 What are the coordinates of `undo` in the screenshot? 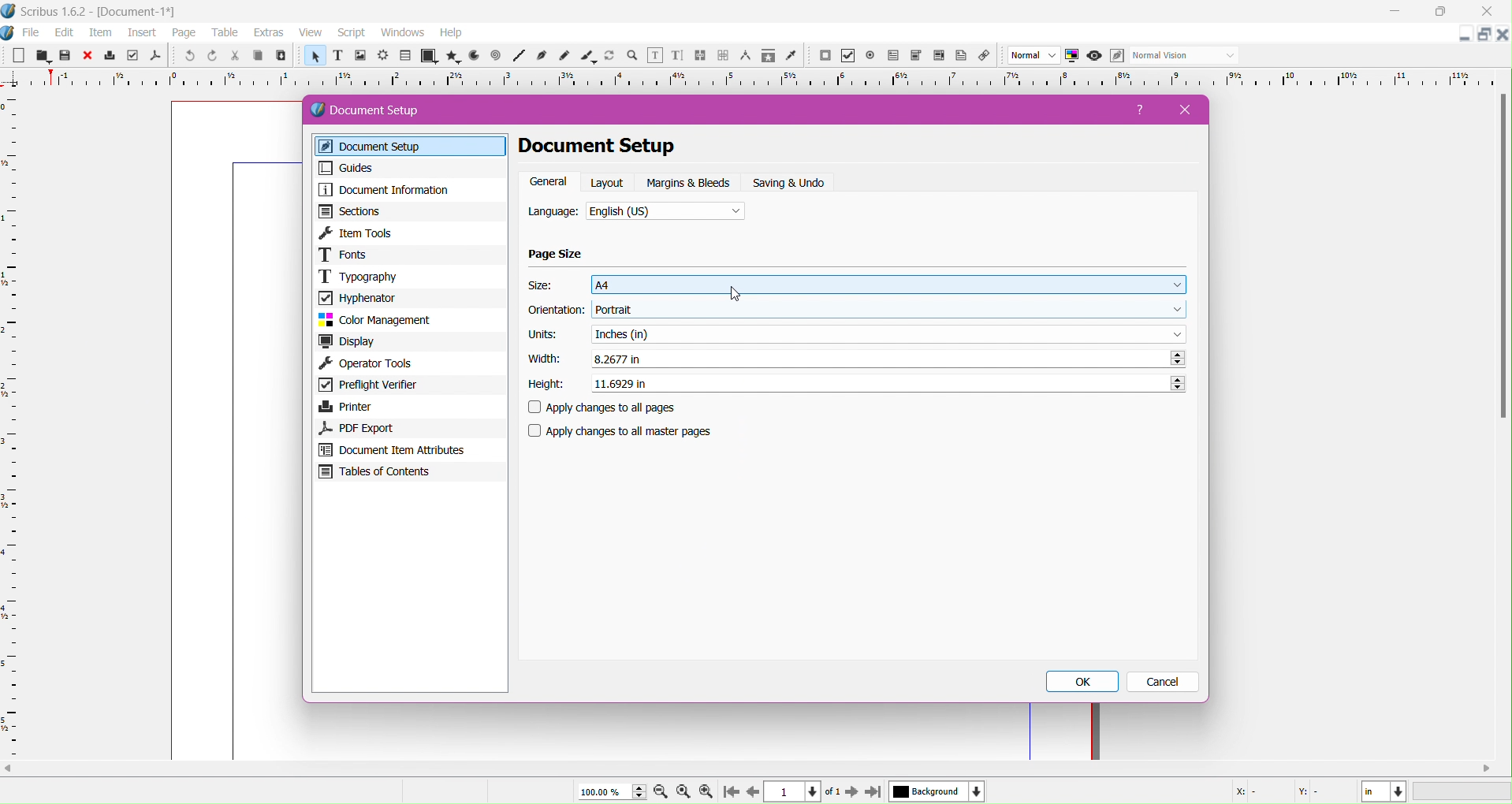 It's located at (188, 57).